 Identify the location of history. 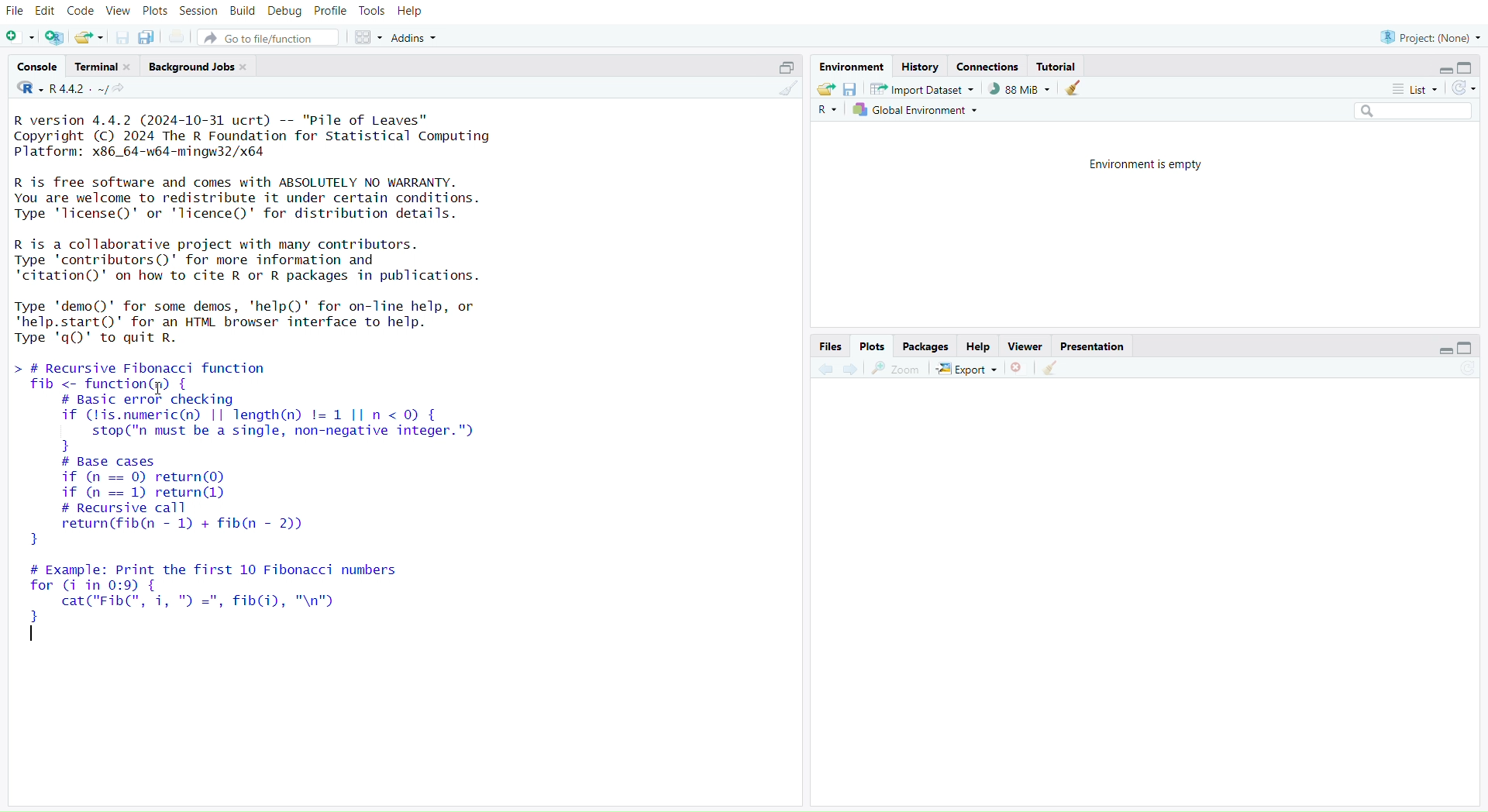
(919, 68).